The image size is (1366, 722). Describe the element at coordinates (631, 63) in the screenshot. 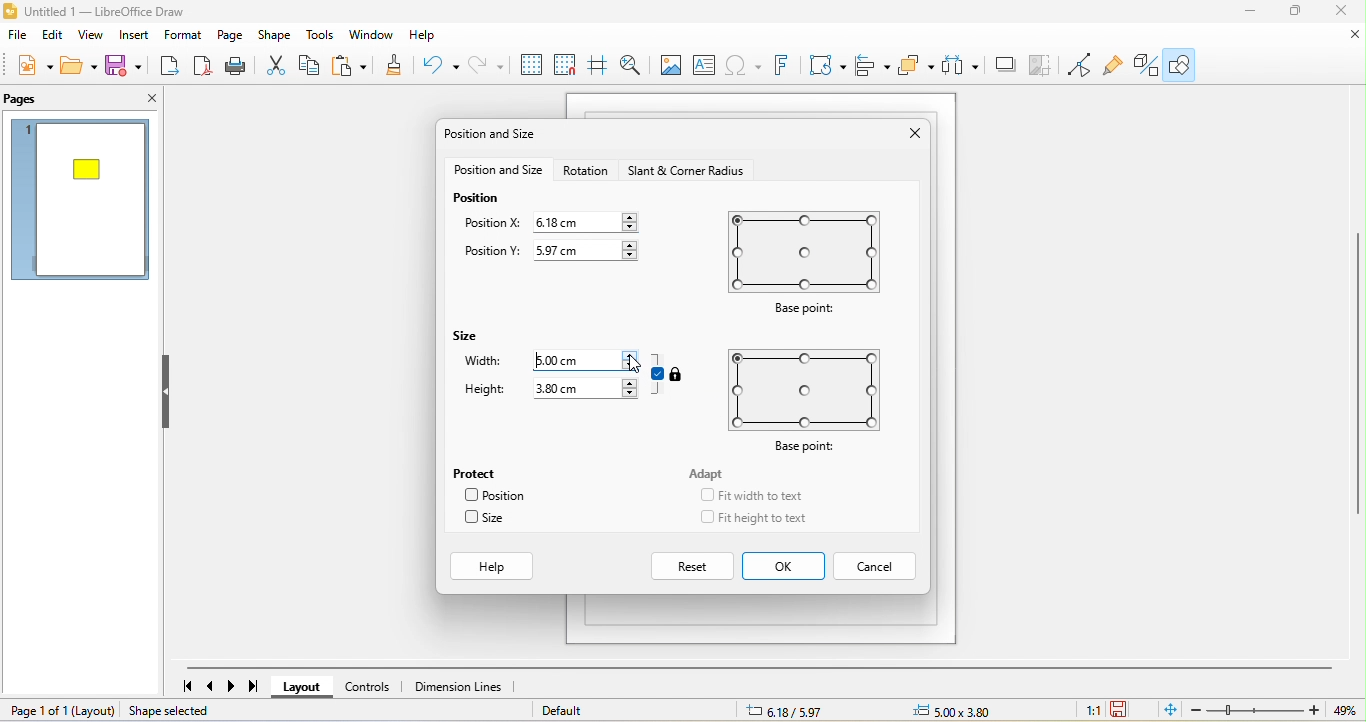

I see `zoom and pan` at that location.